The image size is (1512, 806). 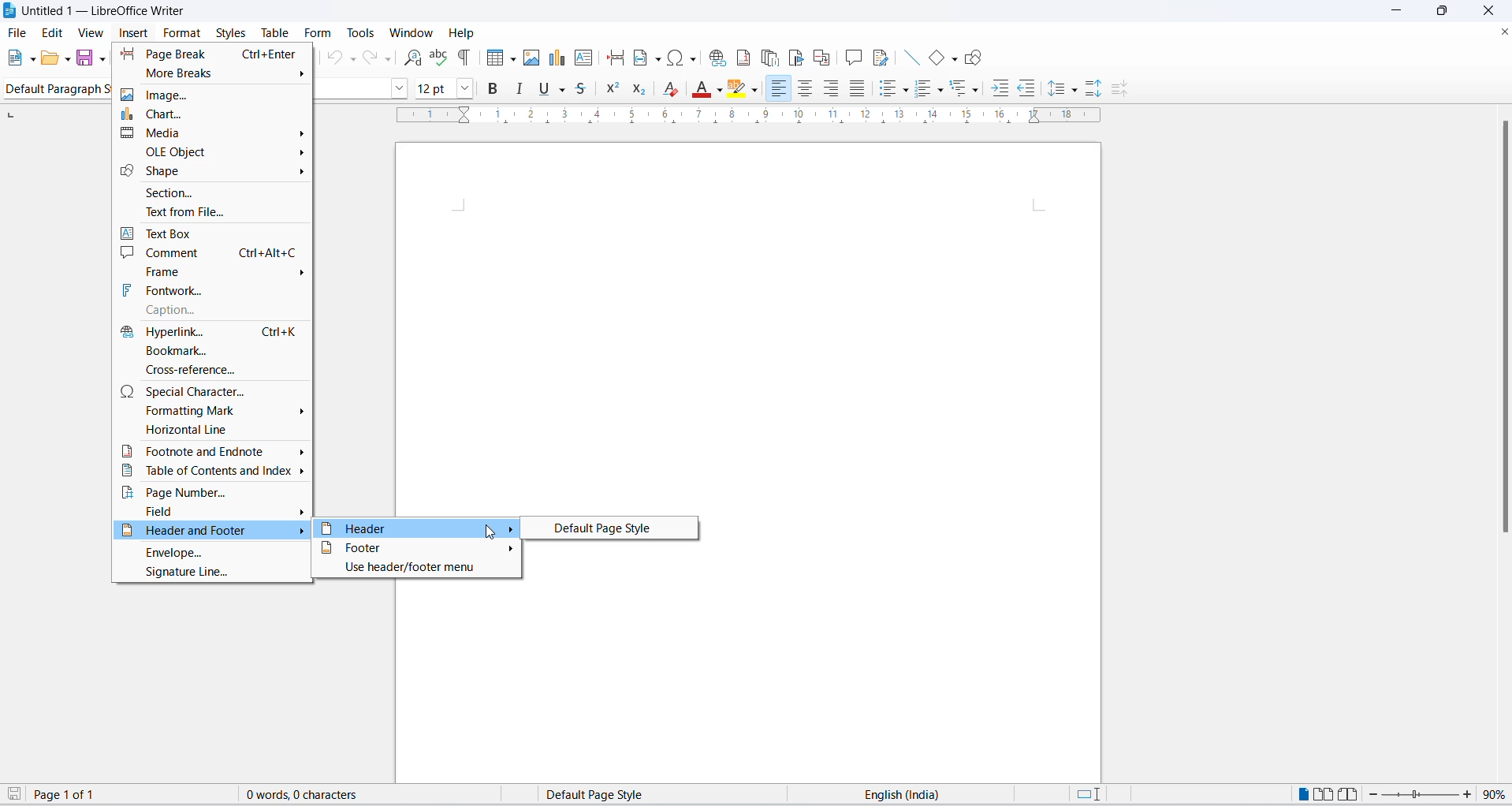 I want to click on form, so click(x=317, y=33).